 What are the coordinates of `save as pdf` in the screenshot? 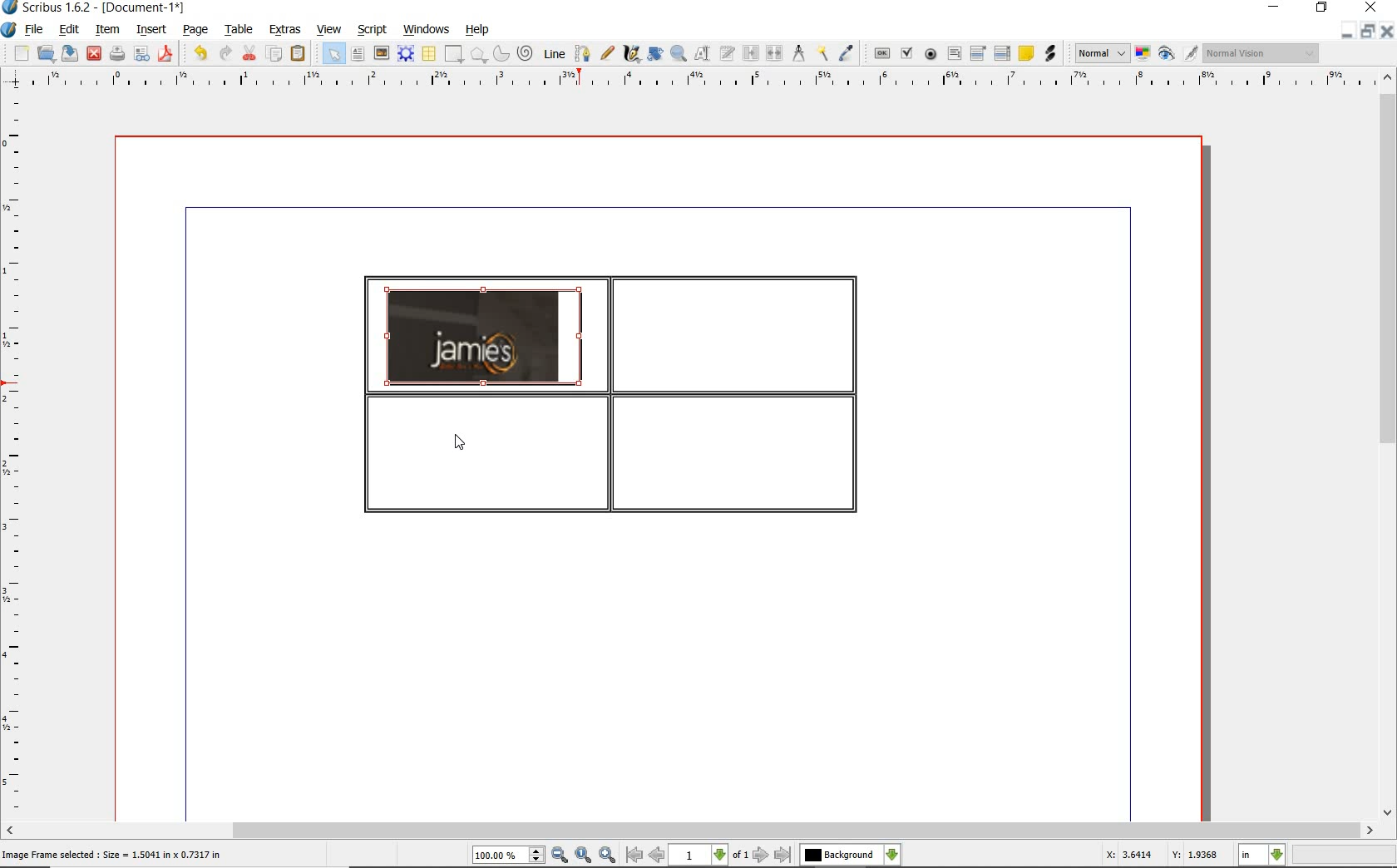 It's located at (165, 53).